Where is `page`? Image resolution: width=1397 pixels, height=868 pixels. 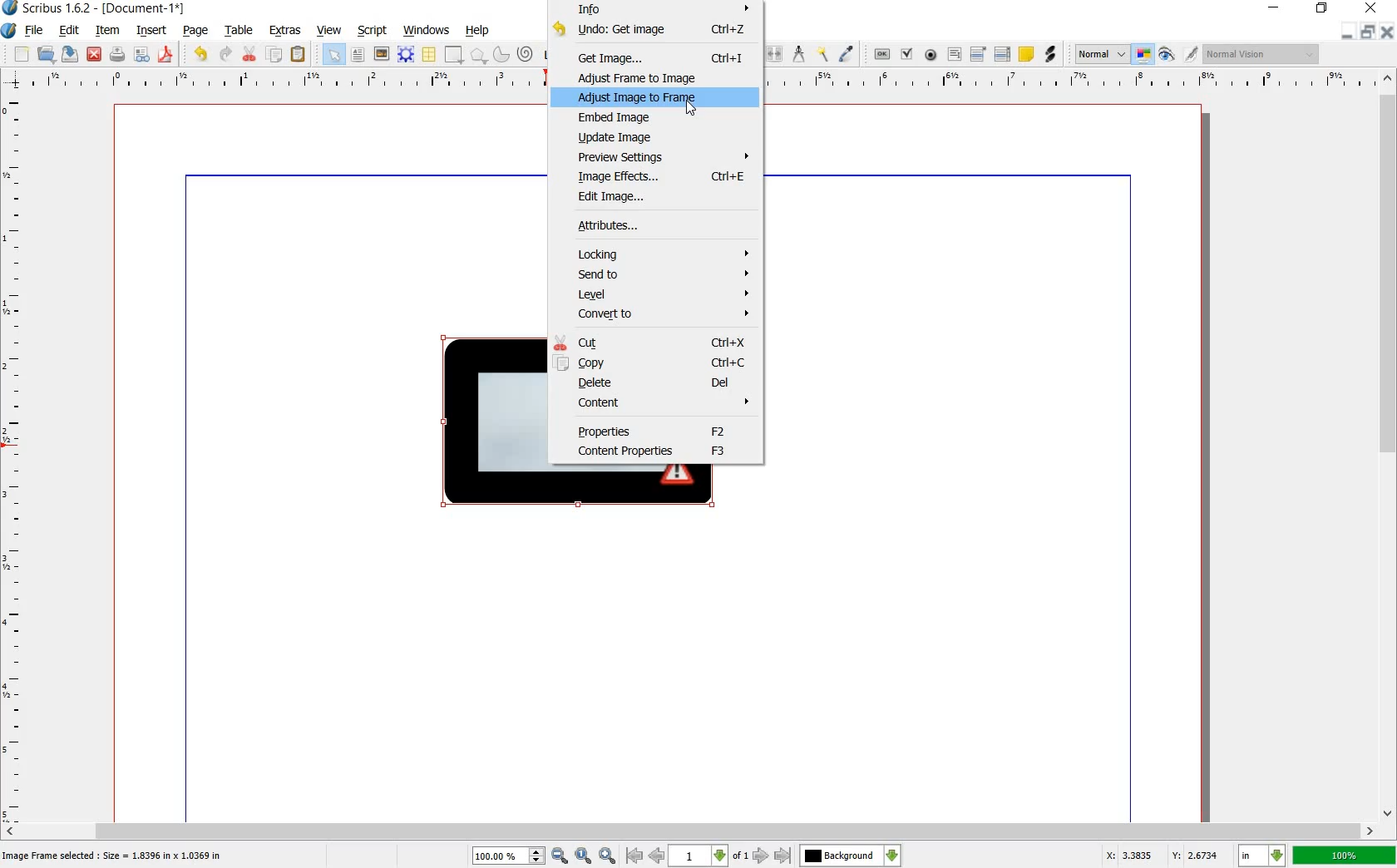 page is located at coordinates (195, 32).